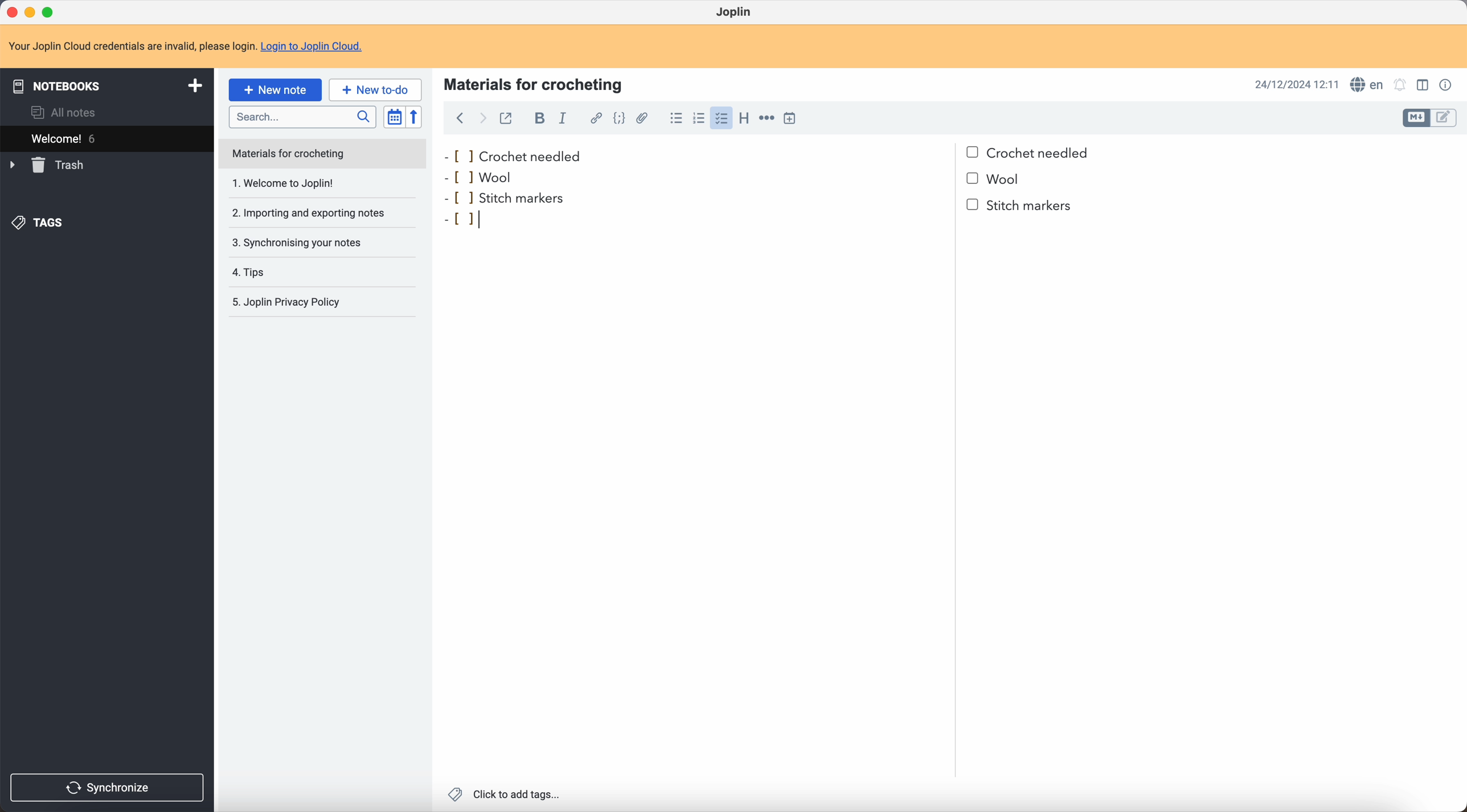  Describe the element at coordinates (735, 13) in the screenshot. I see `Joplin` at that location.